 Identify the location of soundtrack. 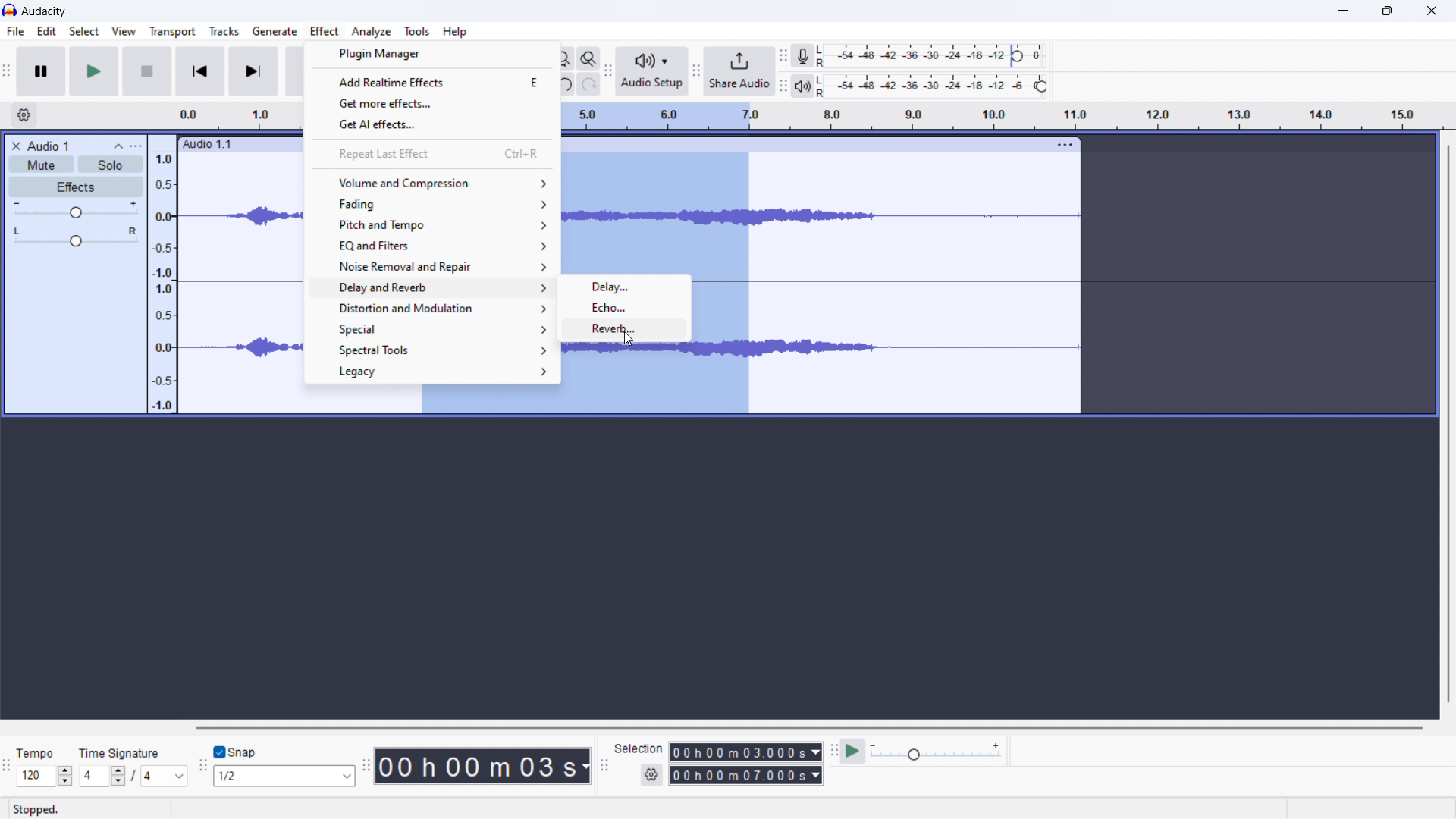
(240, 289).